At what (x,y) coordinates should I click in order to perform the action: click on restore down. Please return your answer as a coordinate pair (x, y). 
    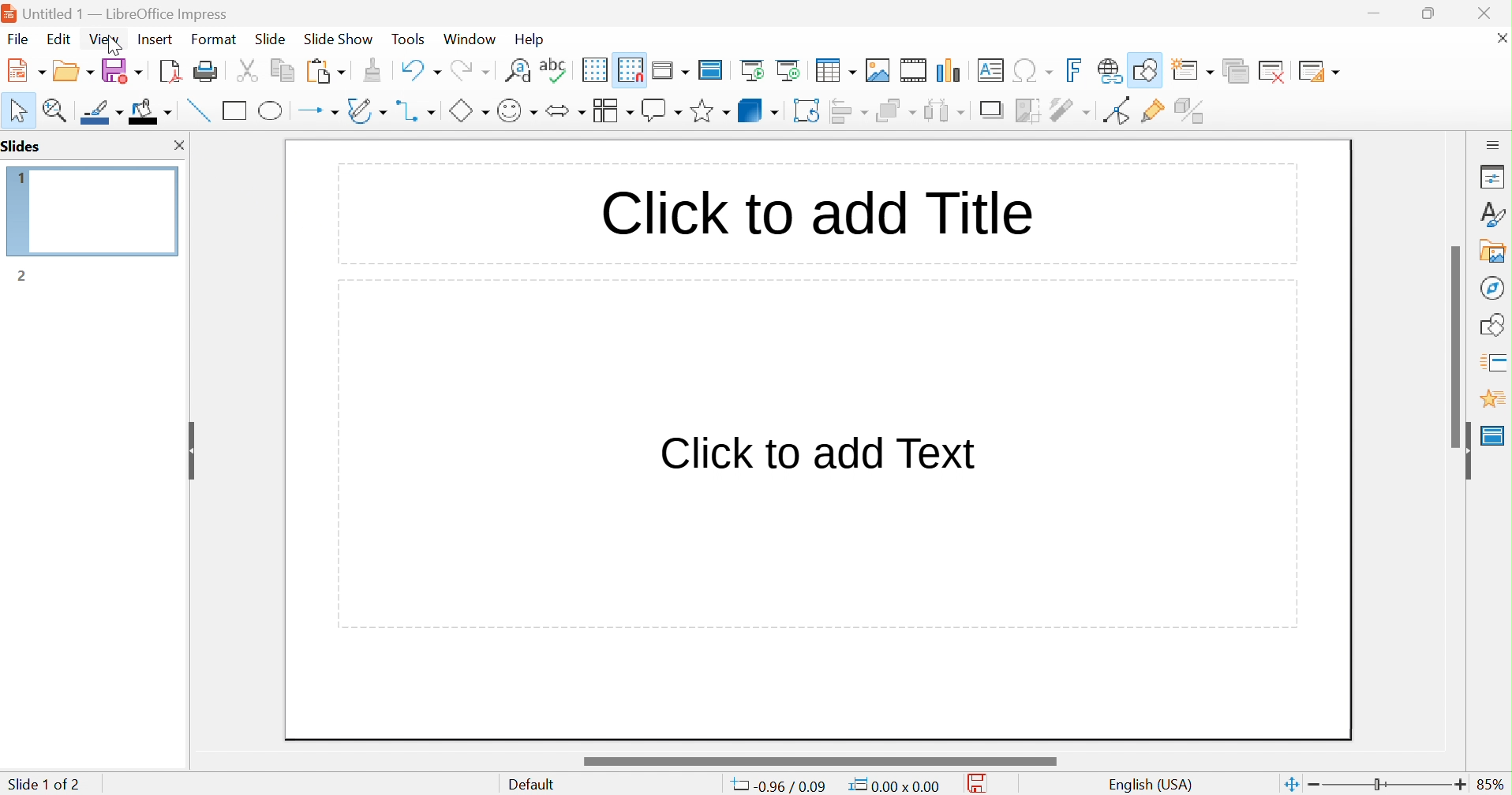
    Looking at the image, I should click on (1429, 13).